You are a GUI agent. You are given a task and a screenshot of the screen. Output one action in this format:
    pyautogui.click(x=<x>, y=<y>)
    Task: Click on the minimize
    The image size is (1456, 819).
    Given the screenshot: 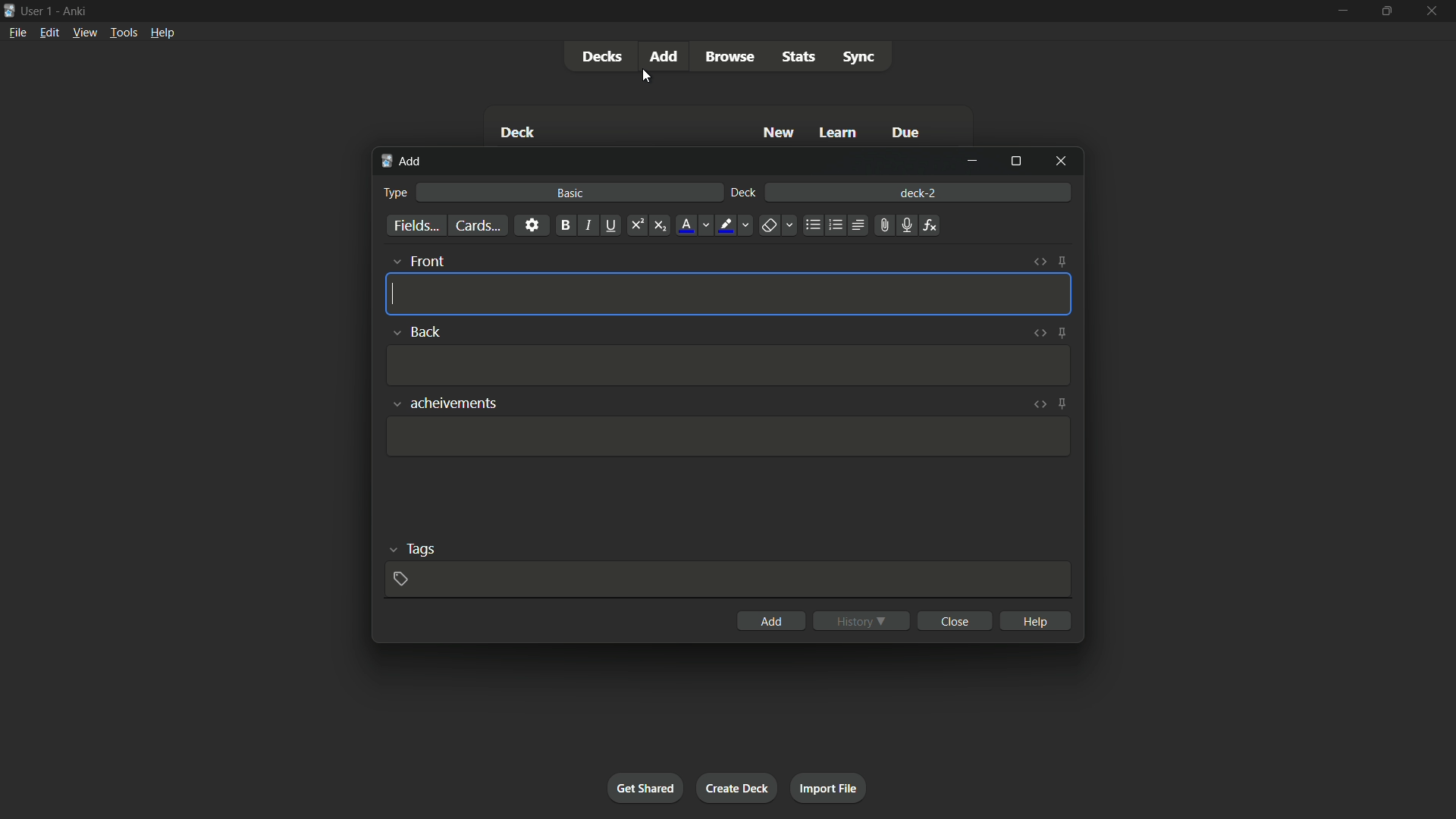 What is the action you would take?
    pyautogui.click(x=972, y=162)
    